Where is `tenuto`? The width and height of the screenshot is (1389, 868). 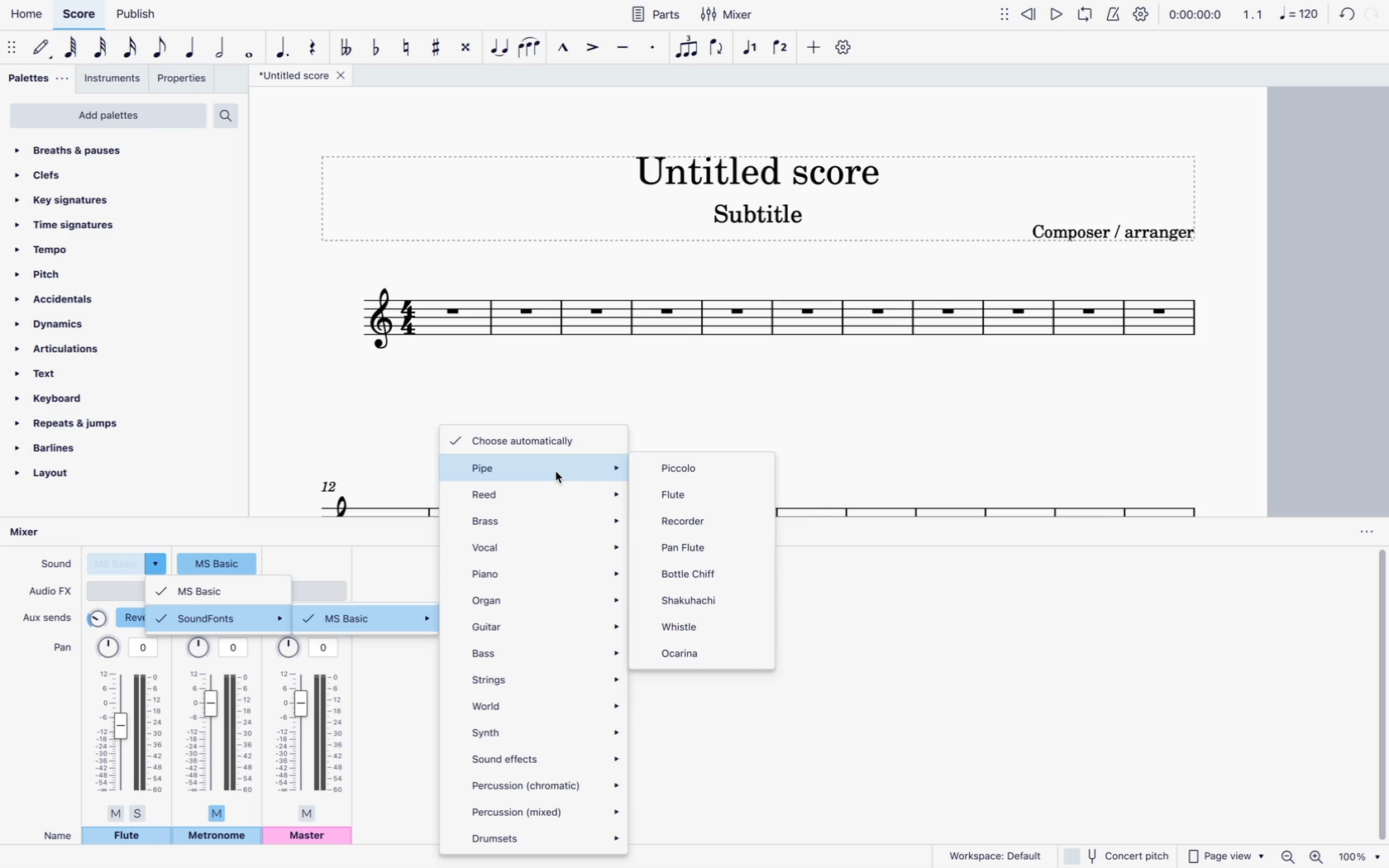
tenuto is located at coordinates (624, 47).